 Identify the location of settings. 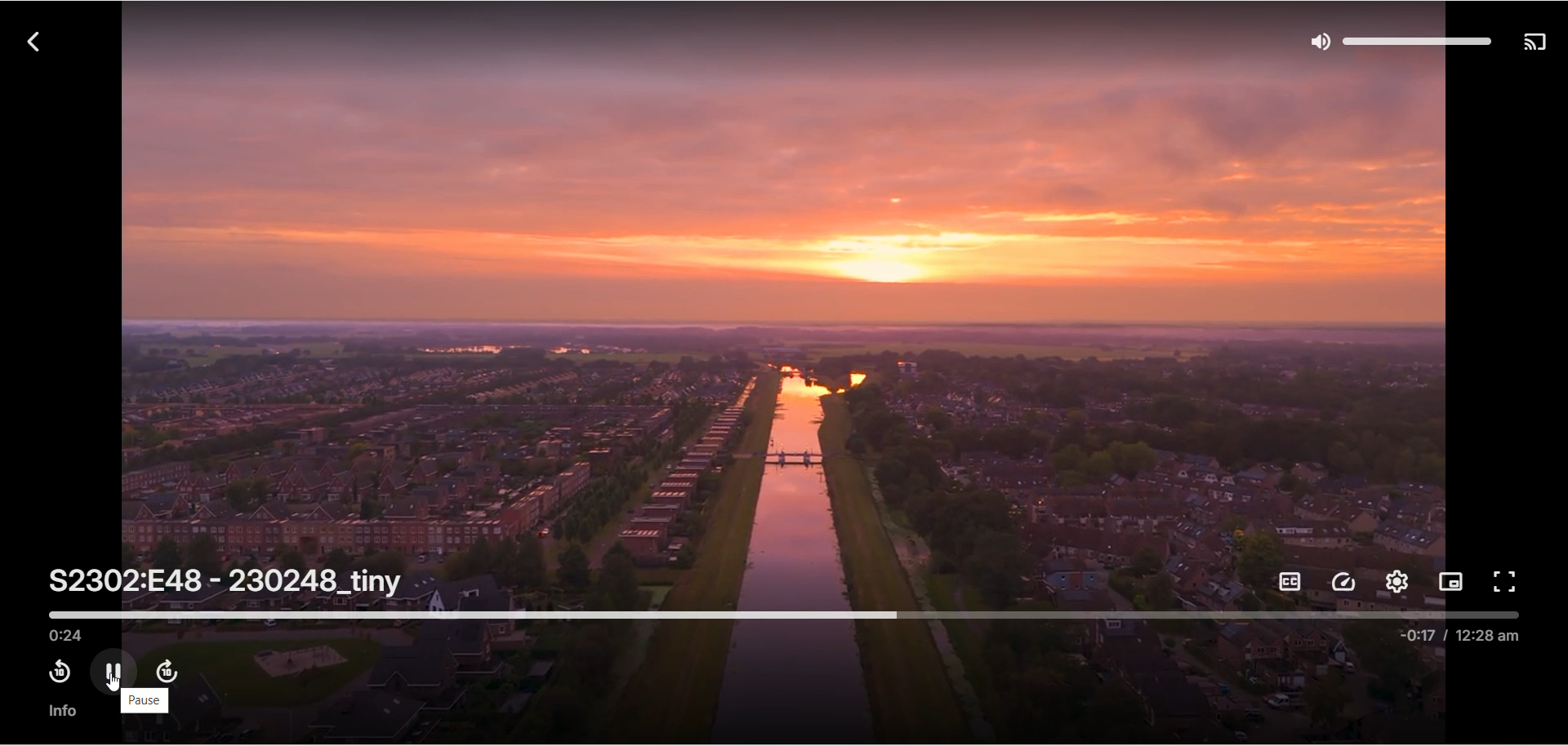
(1396, 583).